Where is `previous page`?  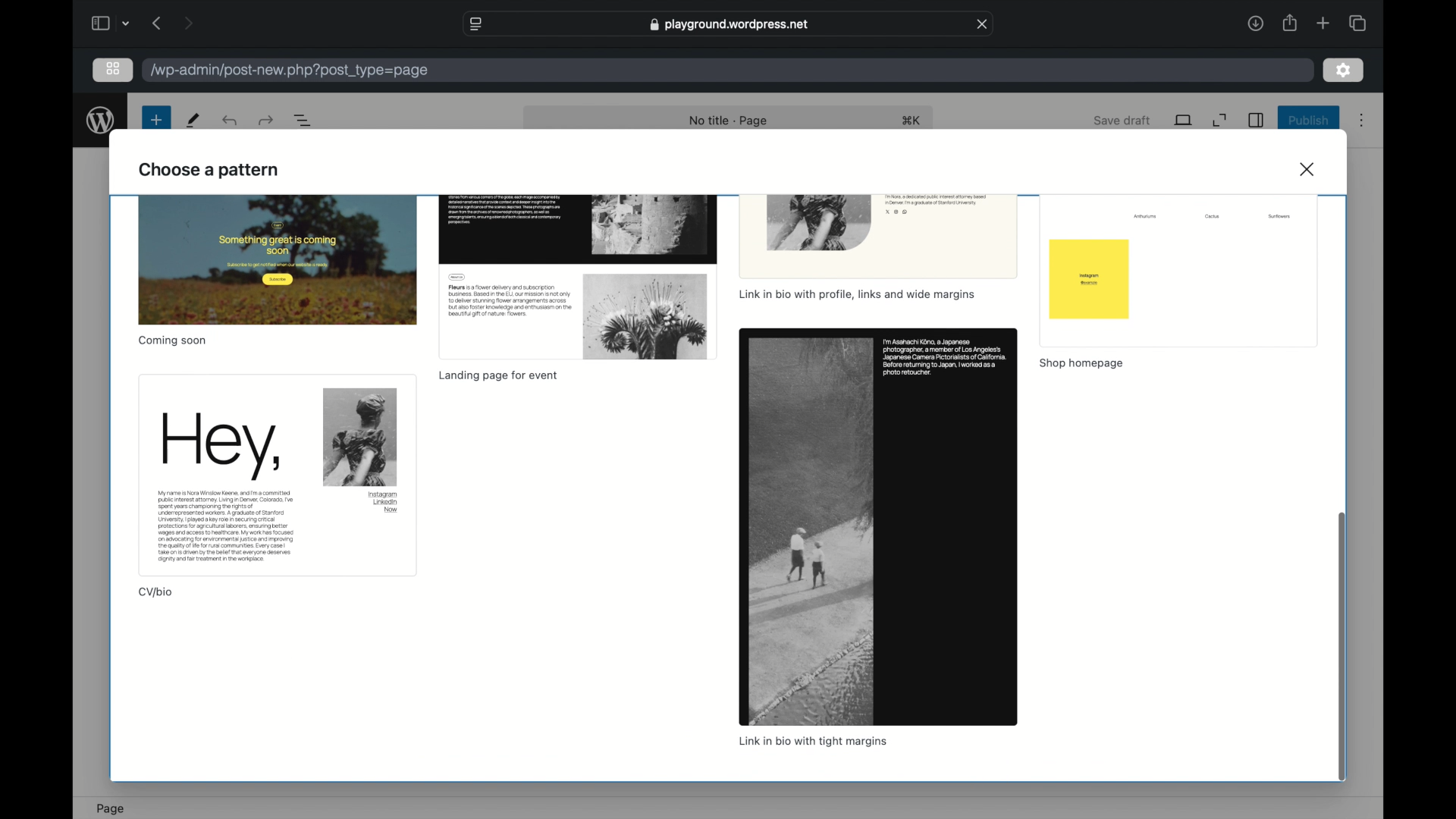 previous page is located at coordinates (158, 23).